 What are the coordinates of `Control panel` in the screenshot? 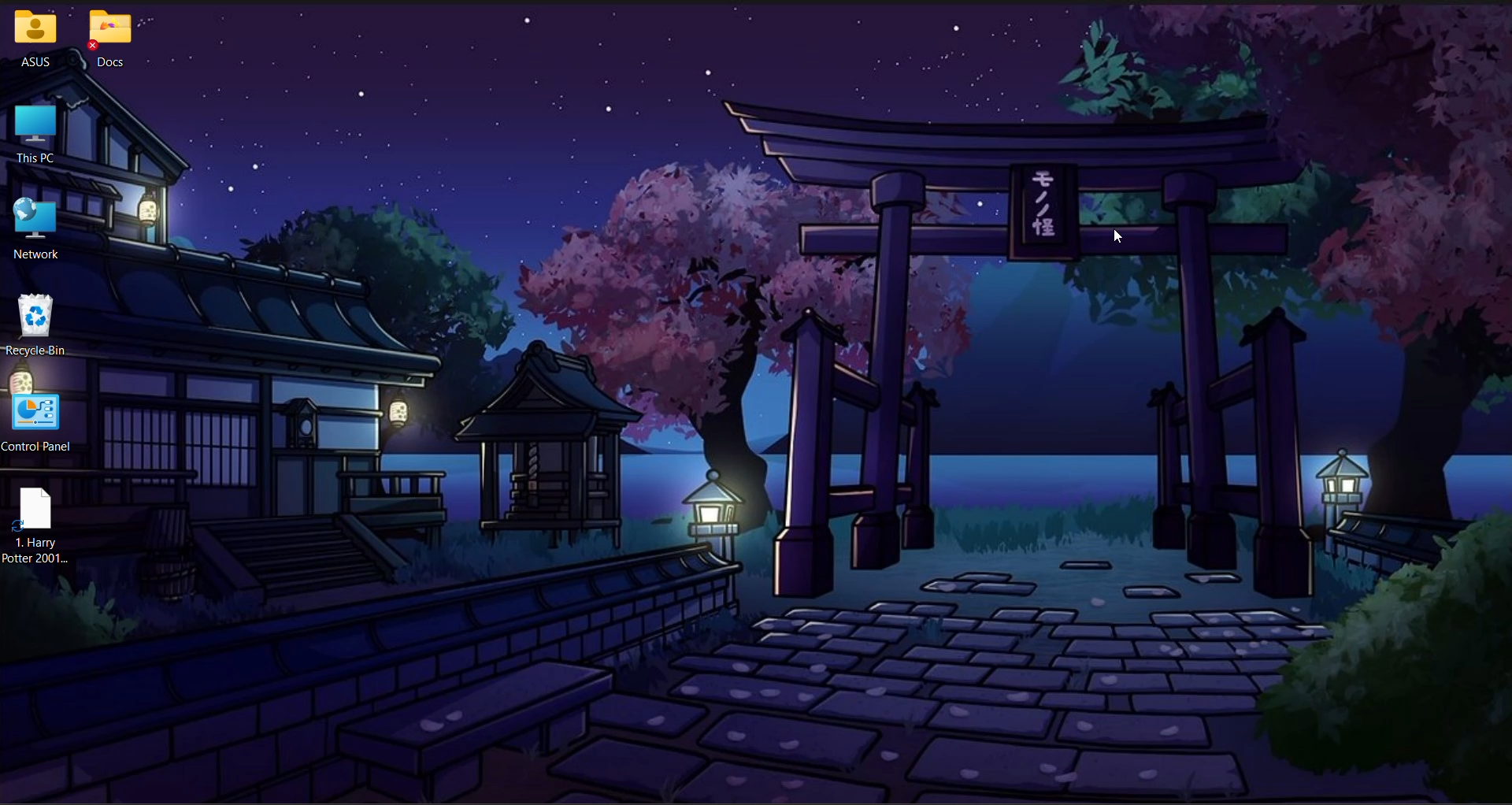 It's located at (35, 421).